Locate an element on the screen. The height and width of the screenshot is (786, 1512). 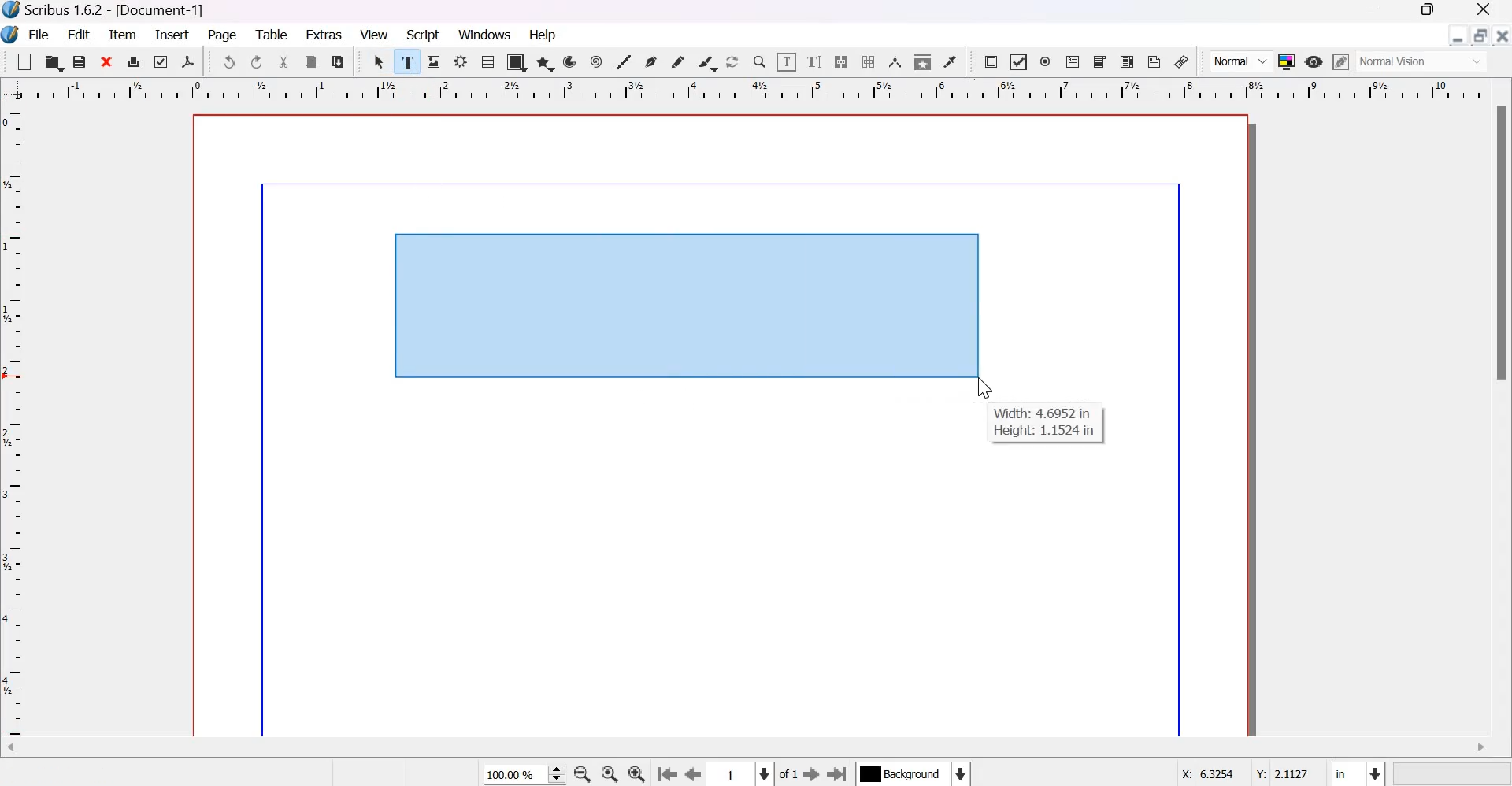
select the current unit is located at coordinates (1358, 772).